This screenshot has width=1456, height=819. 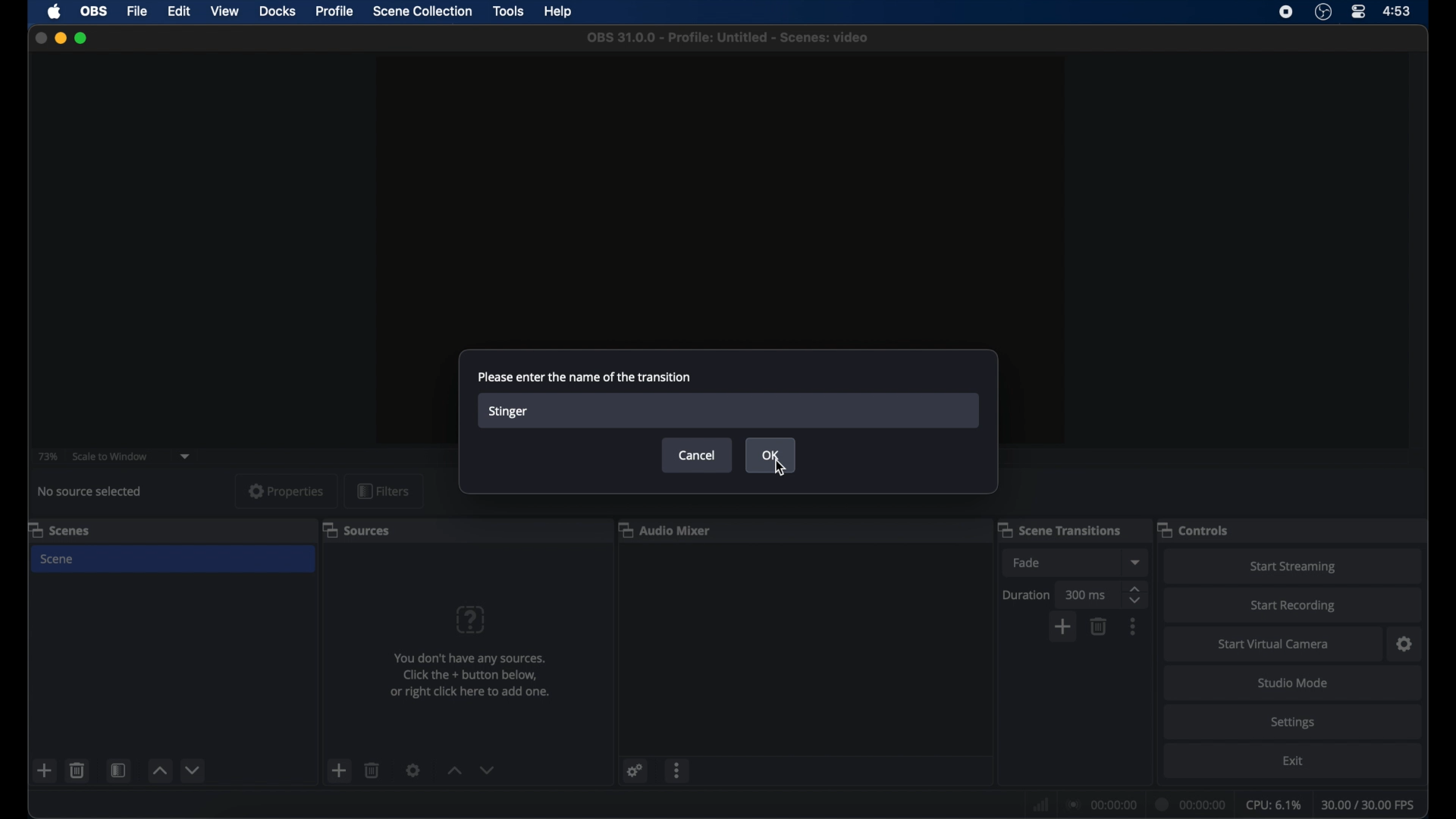 I want to click on fps, so click(x=1369, y=805).